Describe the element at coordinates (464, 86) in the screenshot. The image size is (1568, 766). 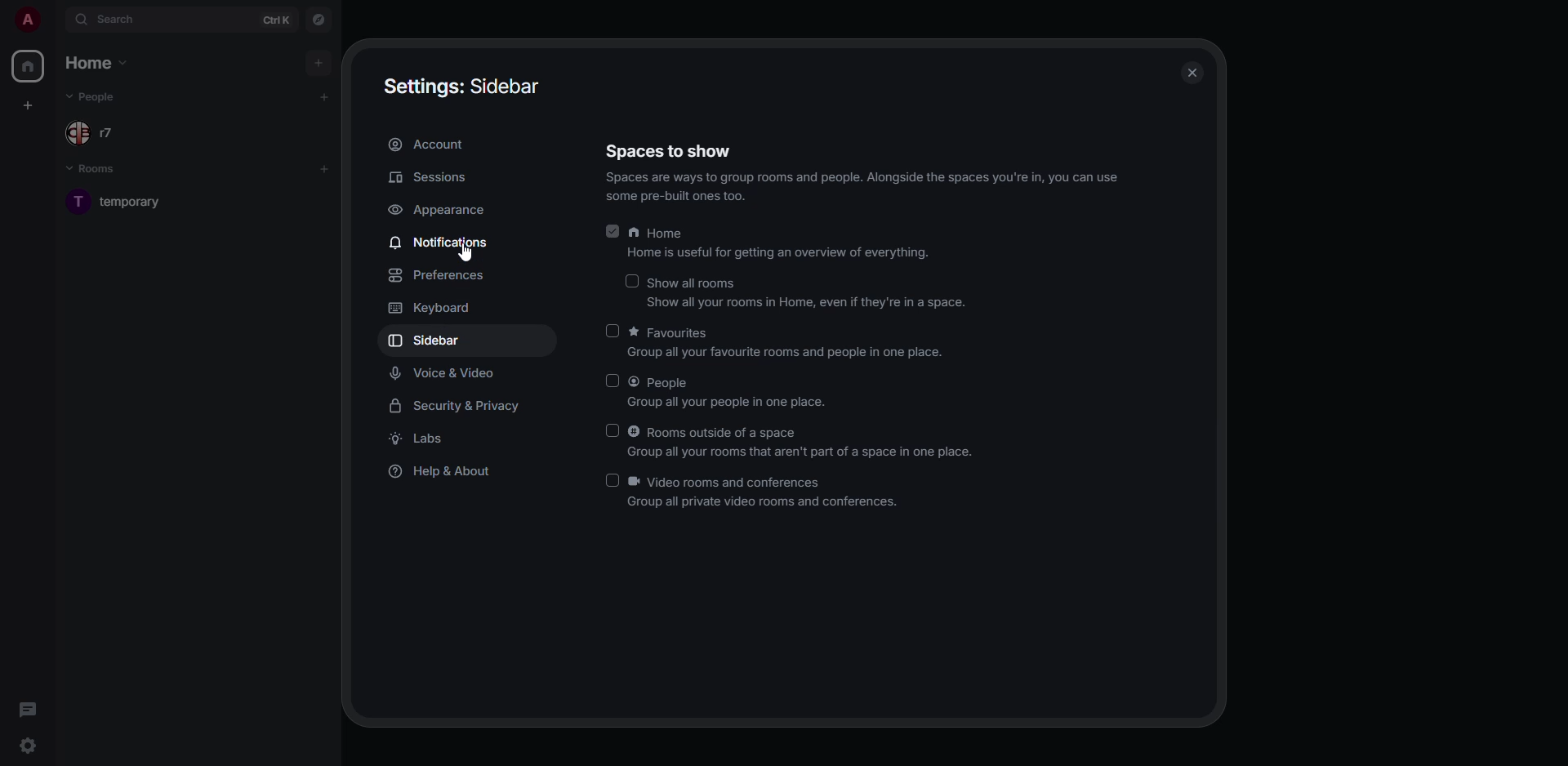
I see `settings sidebar` at that location.